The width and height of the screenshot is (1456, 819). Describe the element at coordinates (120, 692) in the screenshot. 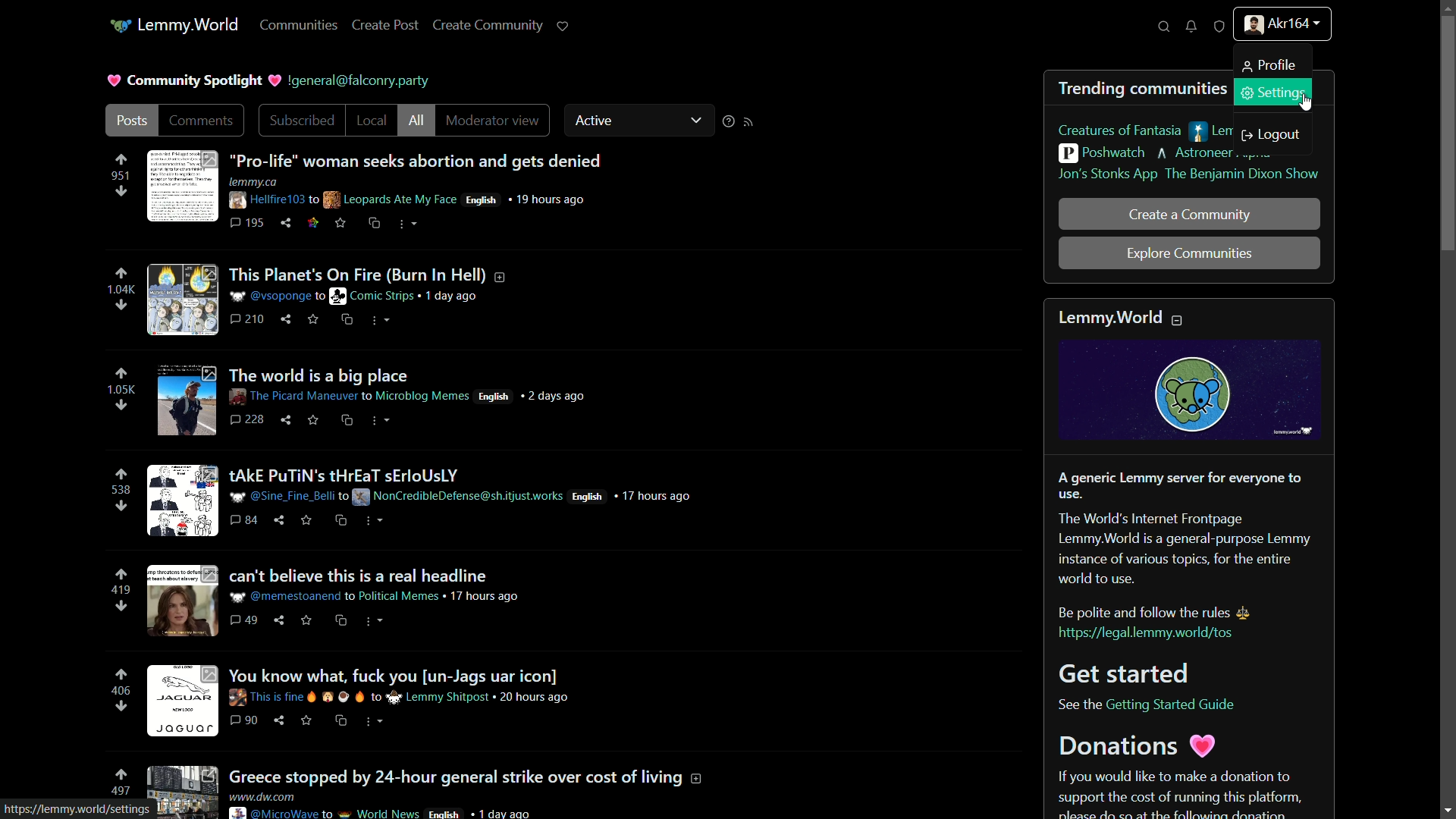

I see `number of votes` at that location.